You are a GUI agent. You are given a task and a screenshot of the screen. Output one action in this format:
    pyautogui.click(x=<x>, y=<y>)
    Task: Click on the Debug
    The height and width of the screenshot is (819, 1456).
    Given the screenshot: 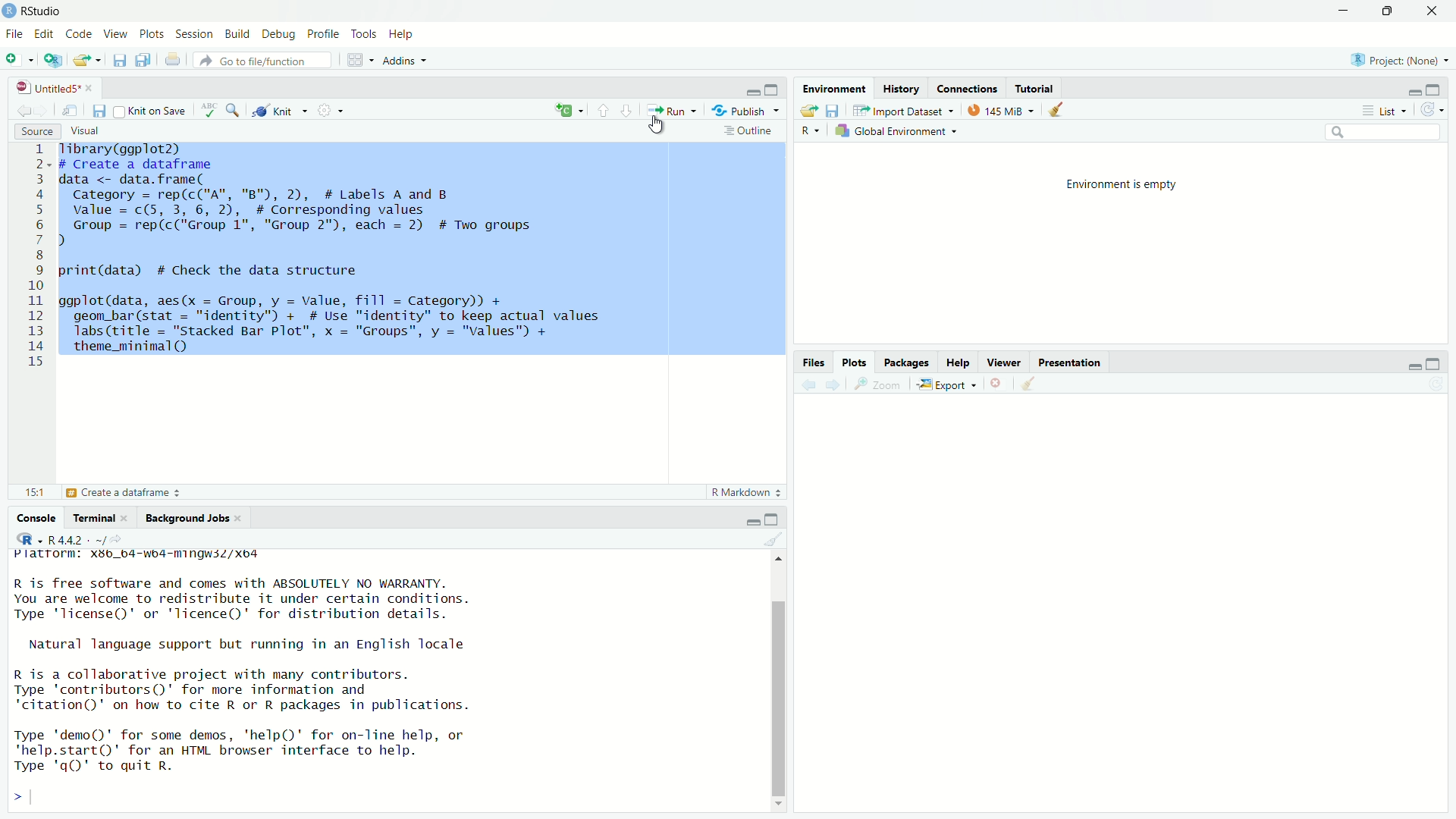 What is the action you would take?
    pyautogui.click(x=278, y=33)
    